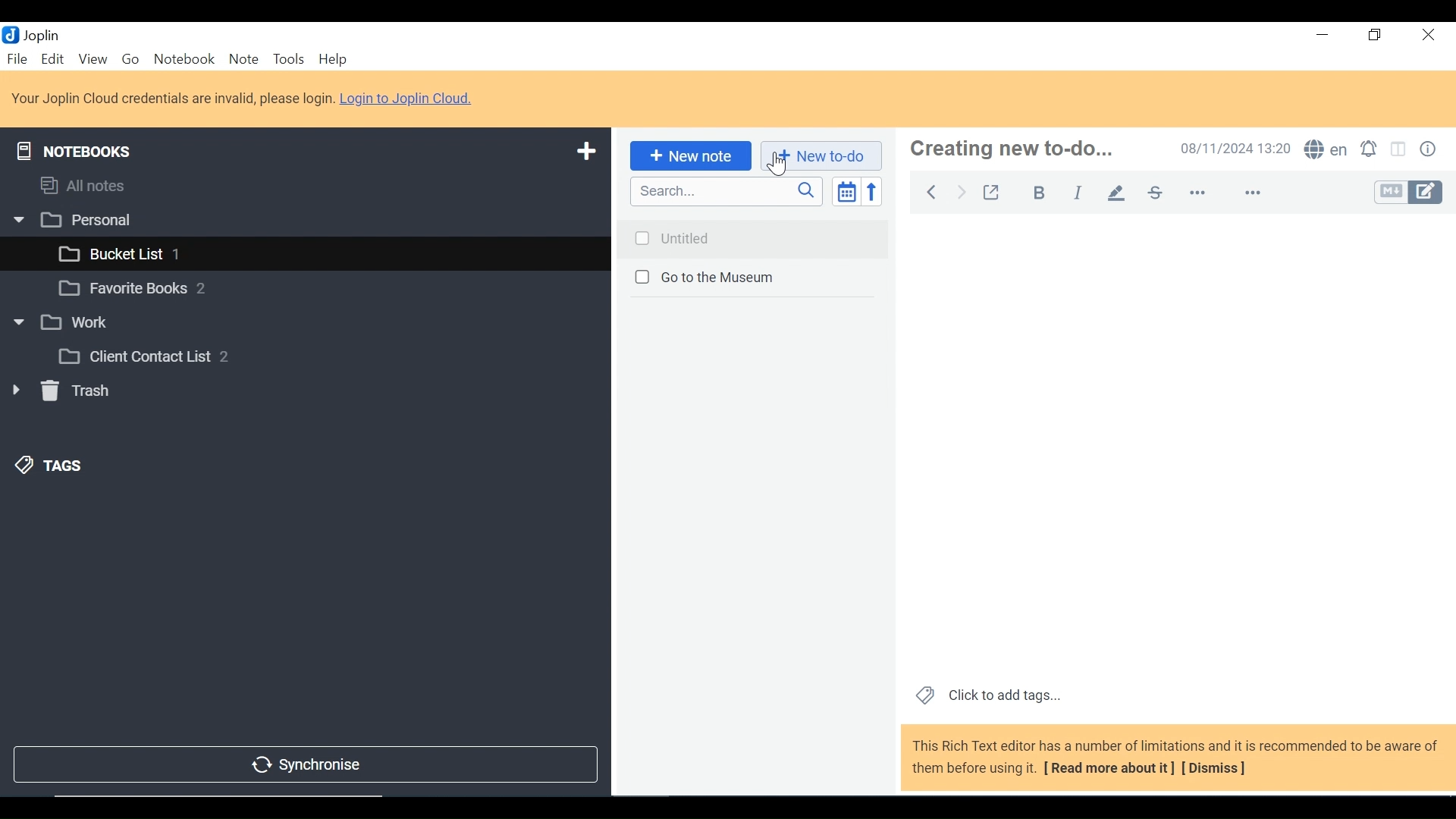  Describe the element at coordinates (50, 465) in the screenshot. I see `Tags` at that location.